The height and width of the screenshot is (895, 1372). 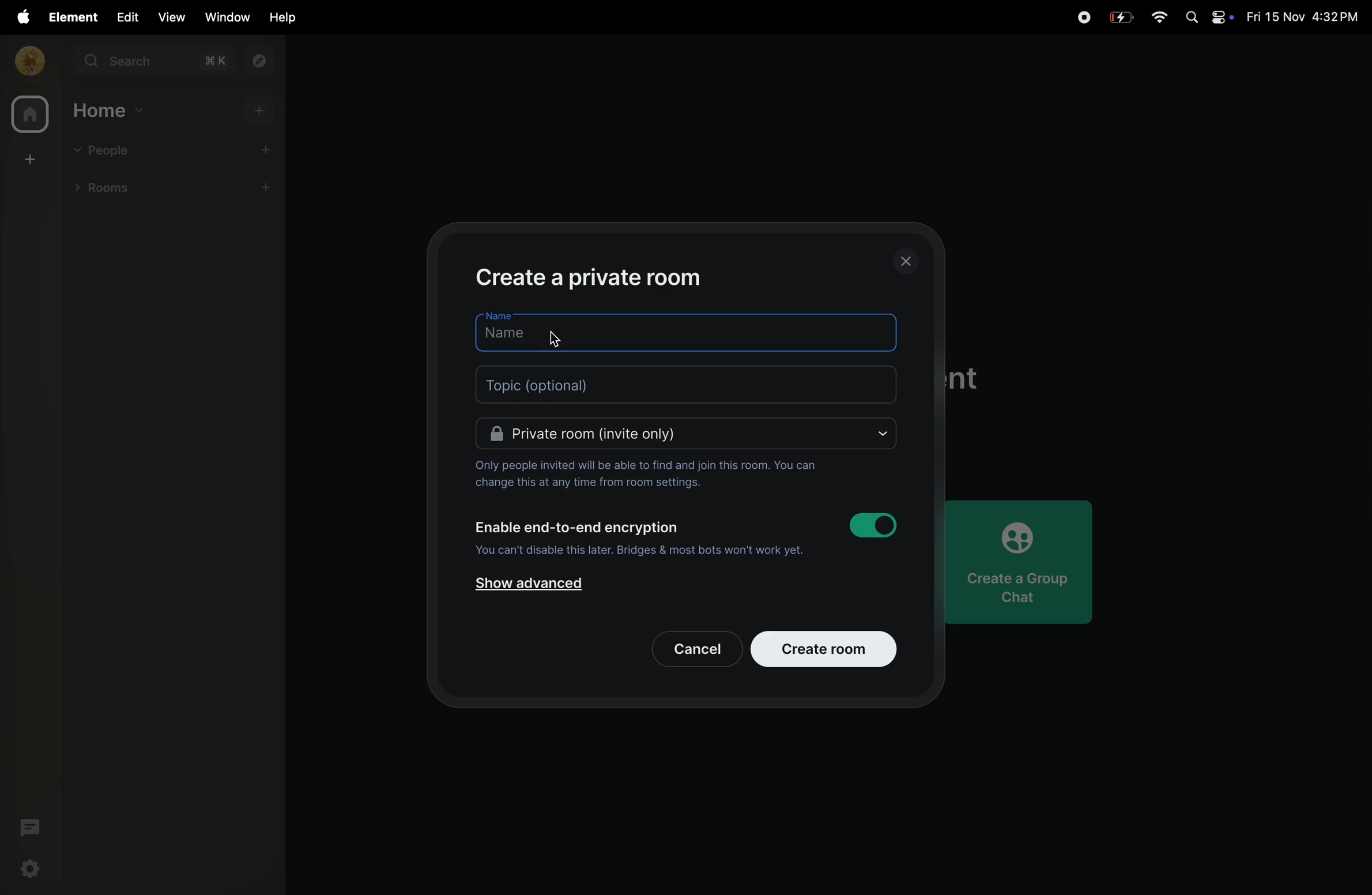 What do you see at coordinates (1206, 18) in the screenshot?
I see `apple widgets` at bounding box center [1206, 18].